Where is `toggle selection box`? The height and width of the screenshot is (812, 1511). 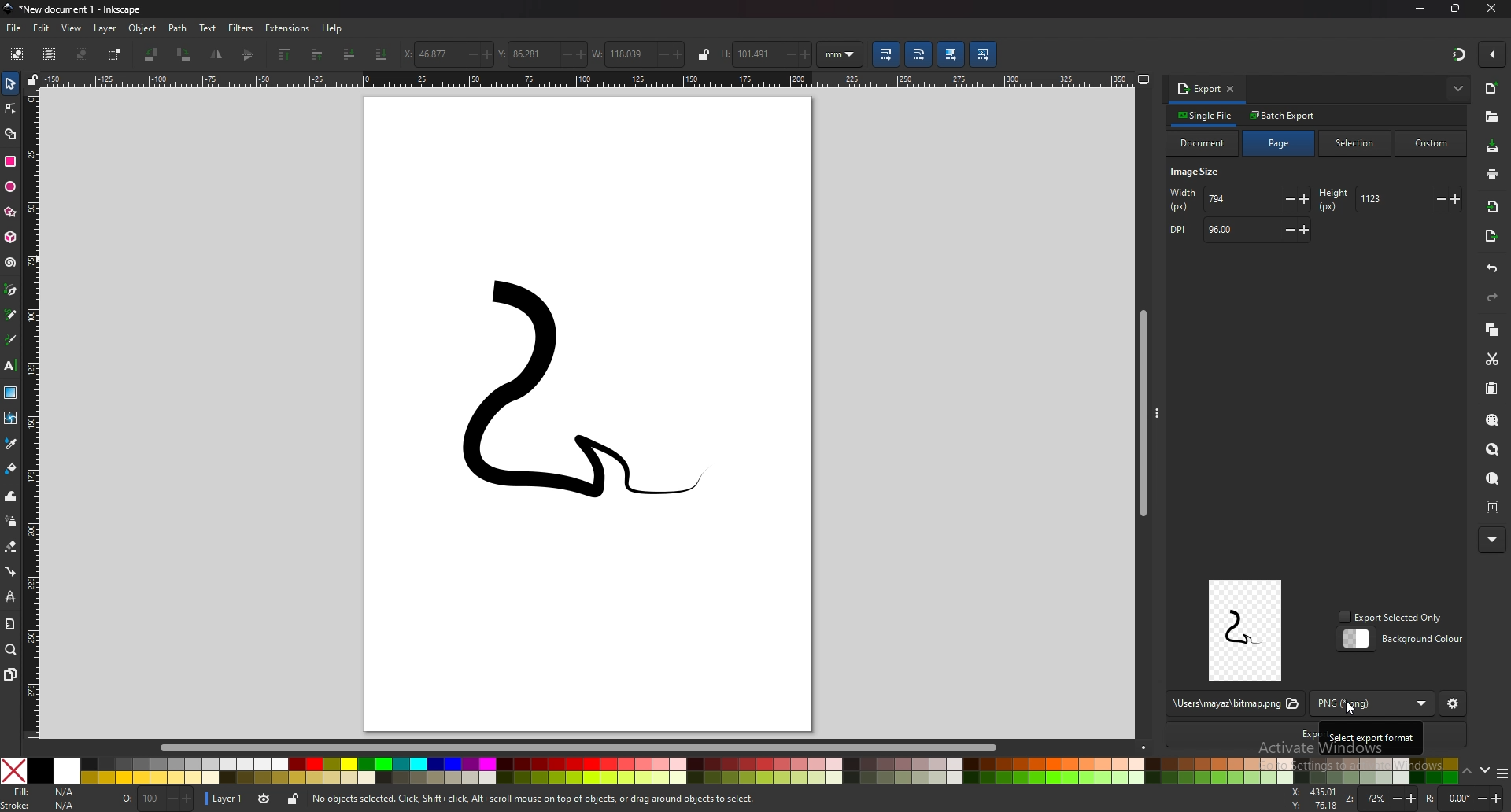
toggle selection box is located at coordinates (116, 54).